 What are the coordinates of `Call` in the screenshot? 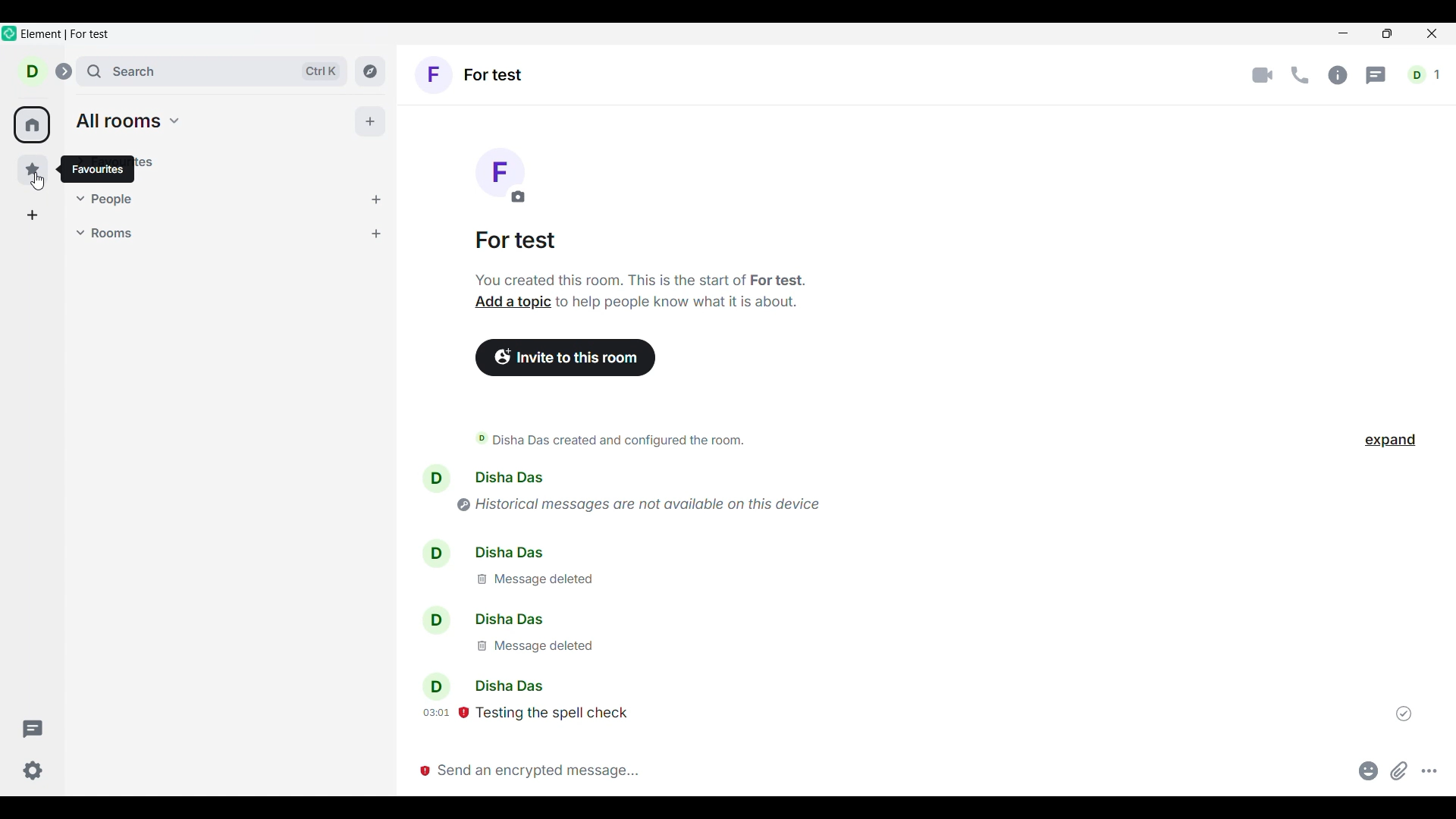 It's located at (1301, 75).